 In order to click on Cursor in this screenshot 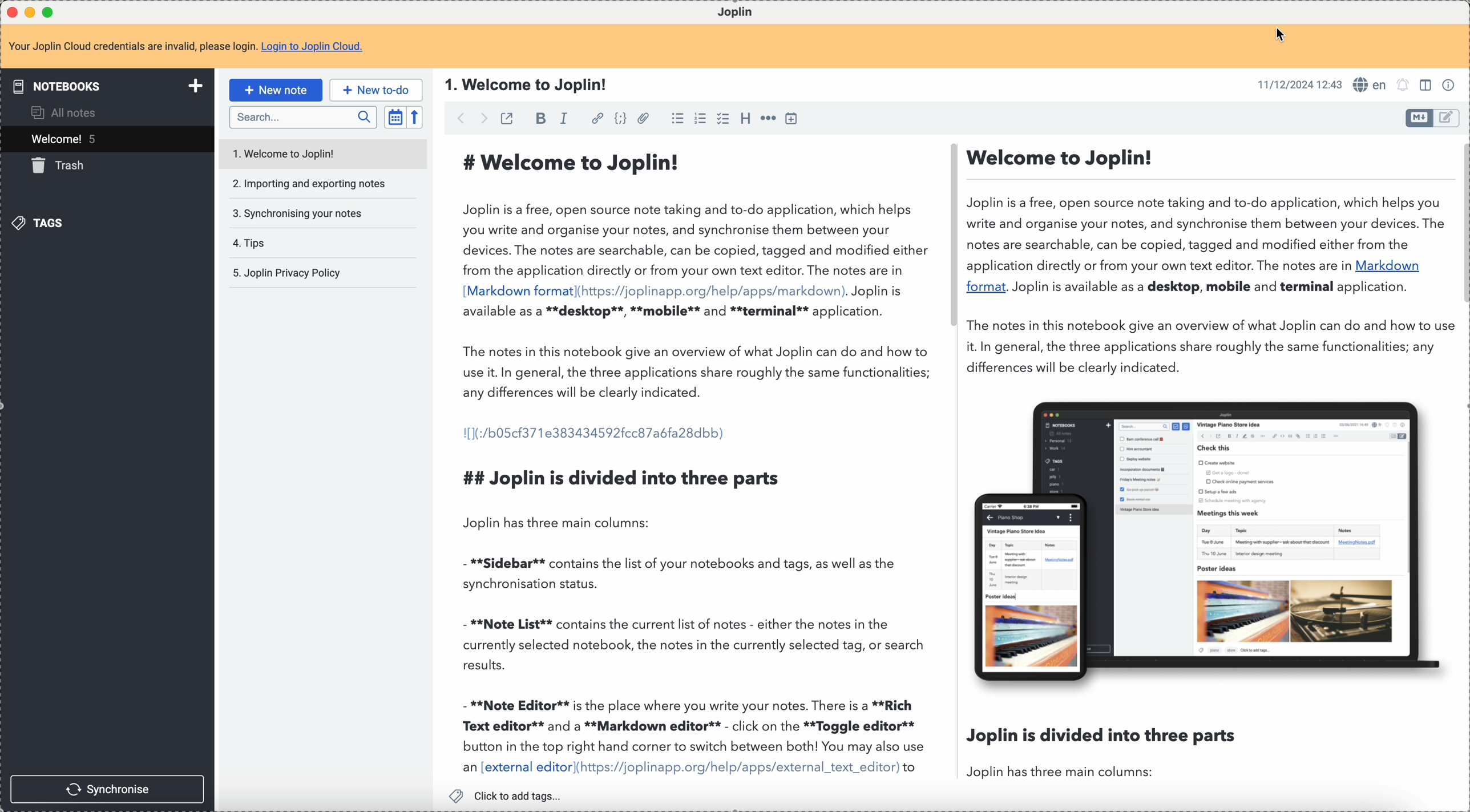, I will do `click(1281, 34)`.